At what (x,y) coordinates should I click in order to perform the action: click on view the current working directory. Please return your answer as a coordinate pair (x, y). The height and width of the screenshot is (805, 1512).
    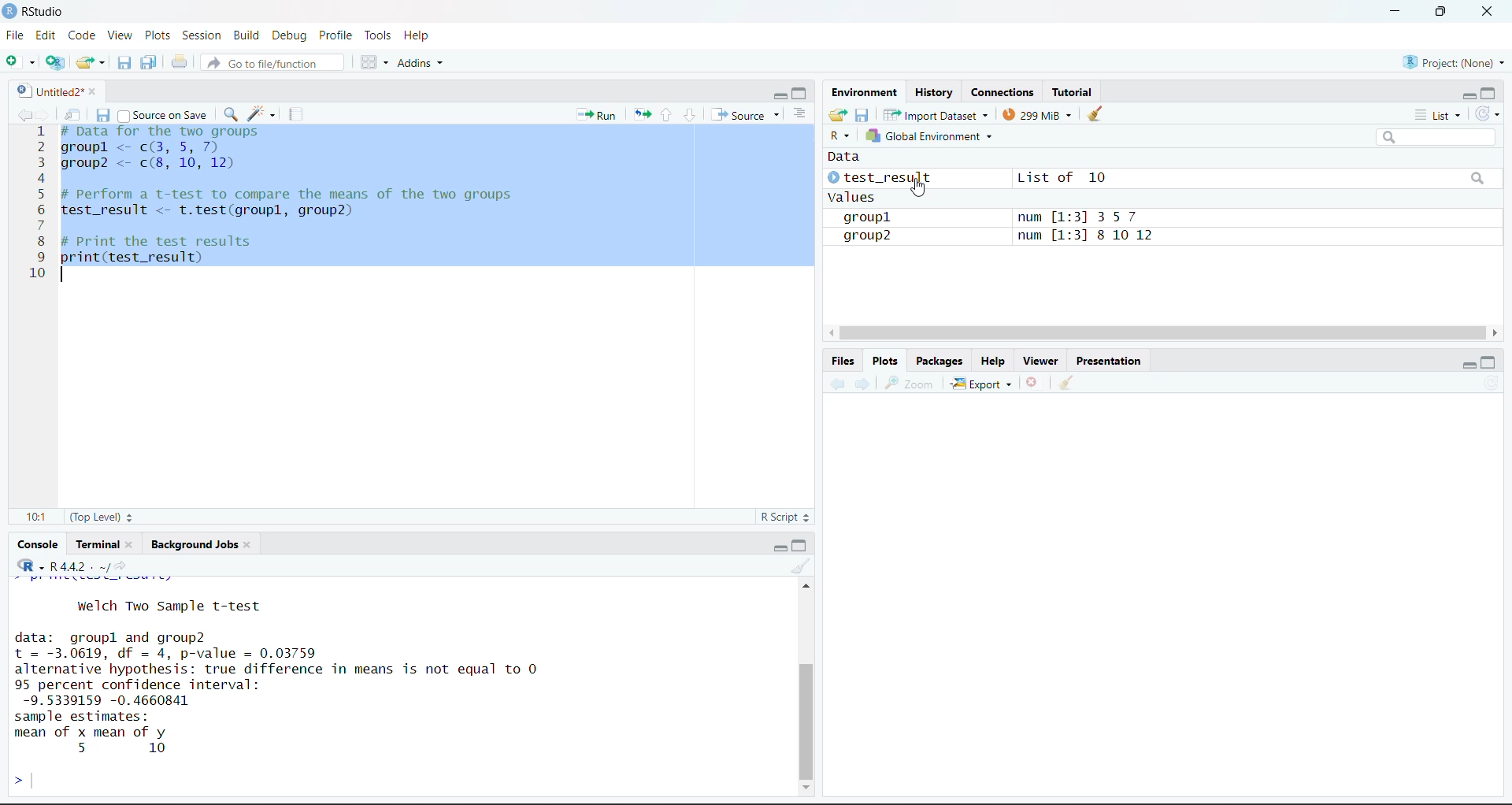
    Looking at the image, I should click on (122, 565).